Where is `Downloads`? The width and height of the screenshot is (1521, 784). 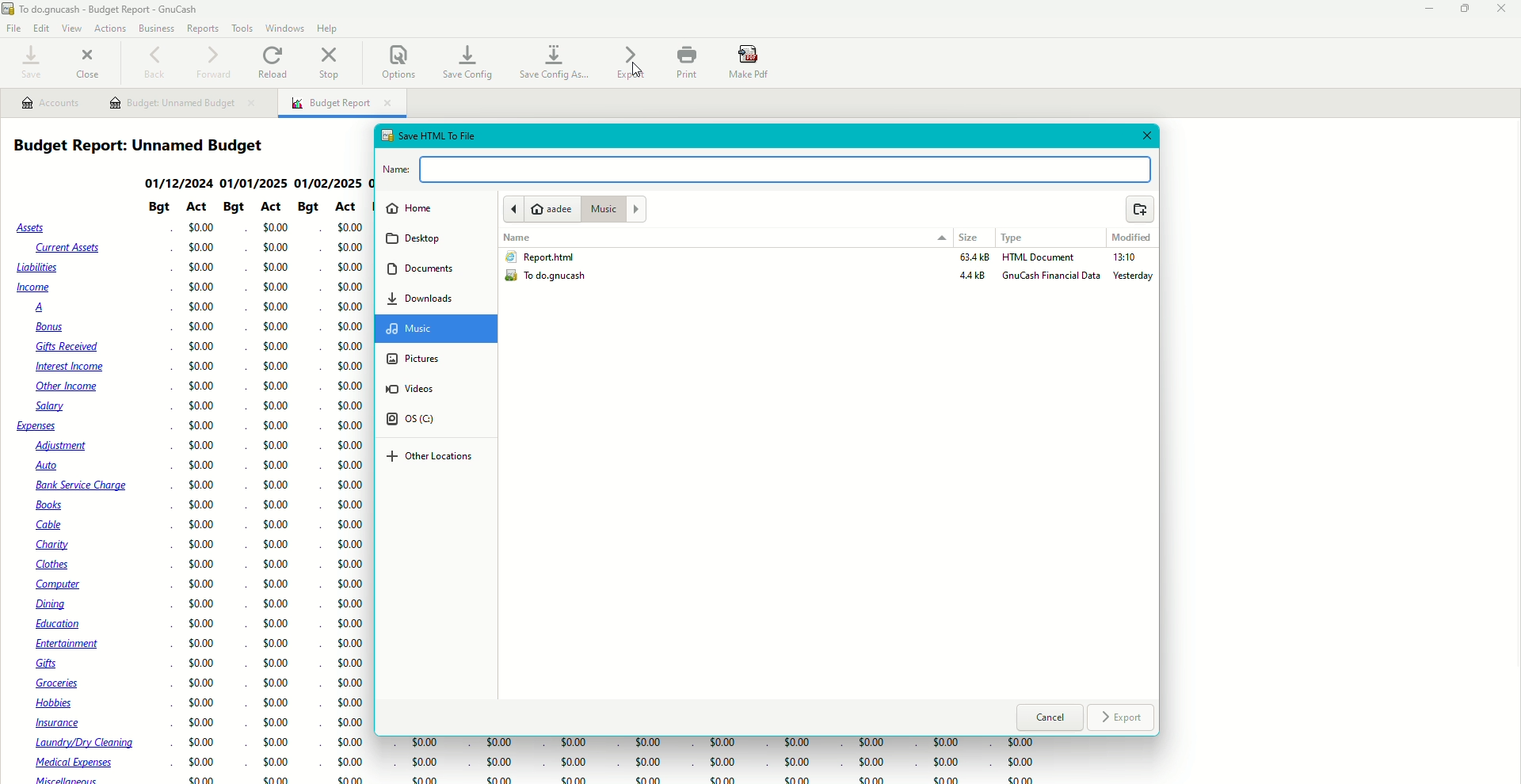 Downloads is located at coordinates (421, 298).